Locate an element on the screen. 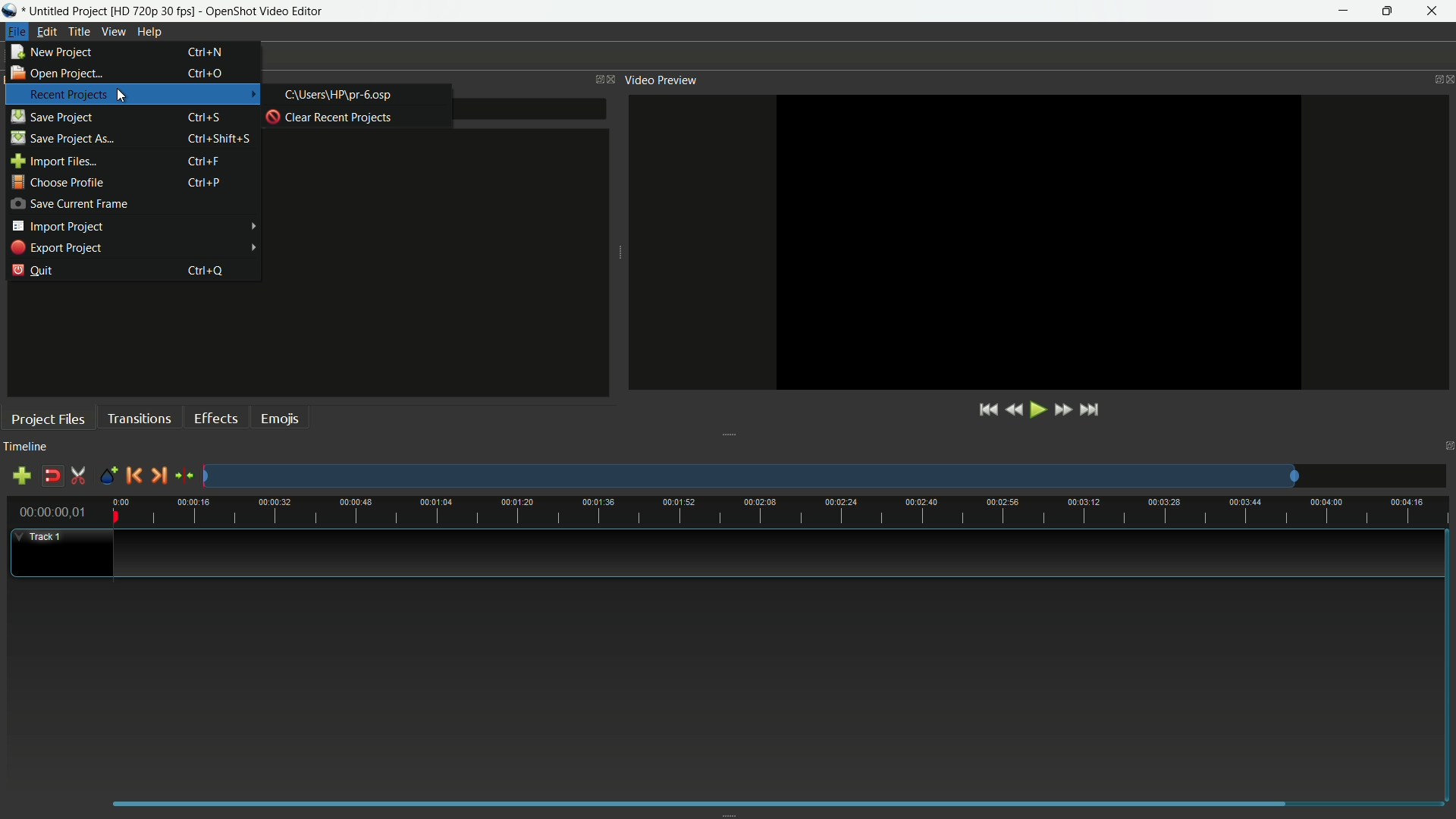 The width and height of the screenshot is (1456, 819). export project is located at coordinates (56, 248).